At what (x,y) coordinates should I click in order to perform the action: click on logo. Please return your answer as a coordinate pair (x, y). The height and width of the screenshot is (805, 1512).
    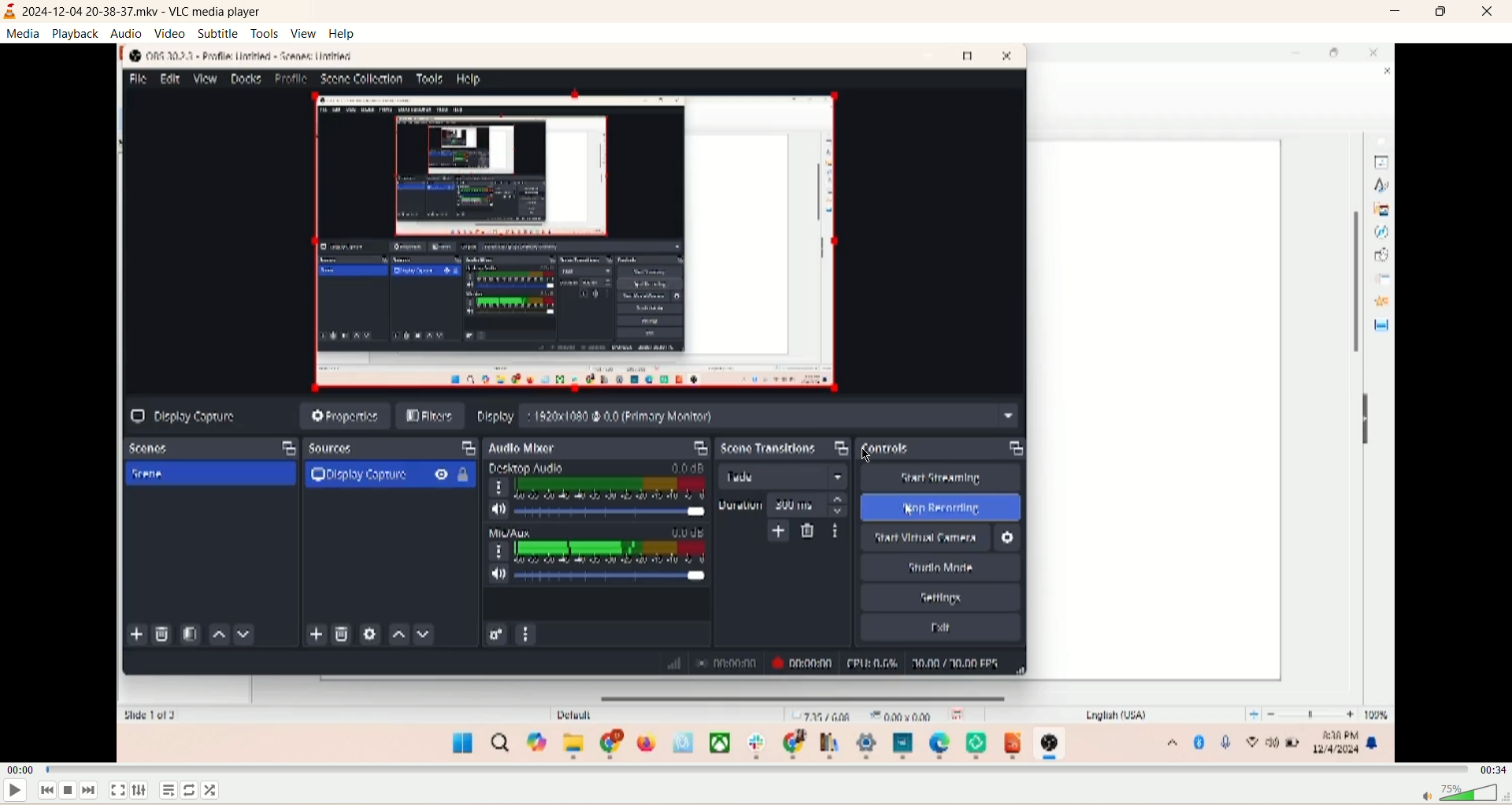
    Looking at the image, I should click on (10, 10).